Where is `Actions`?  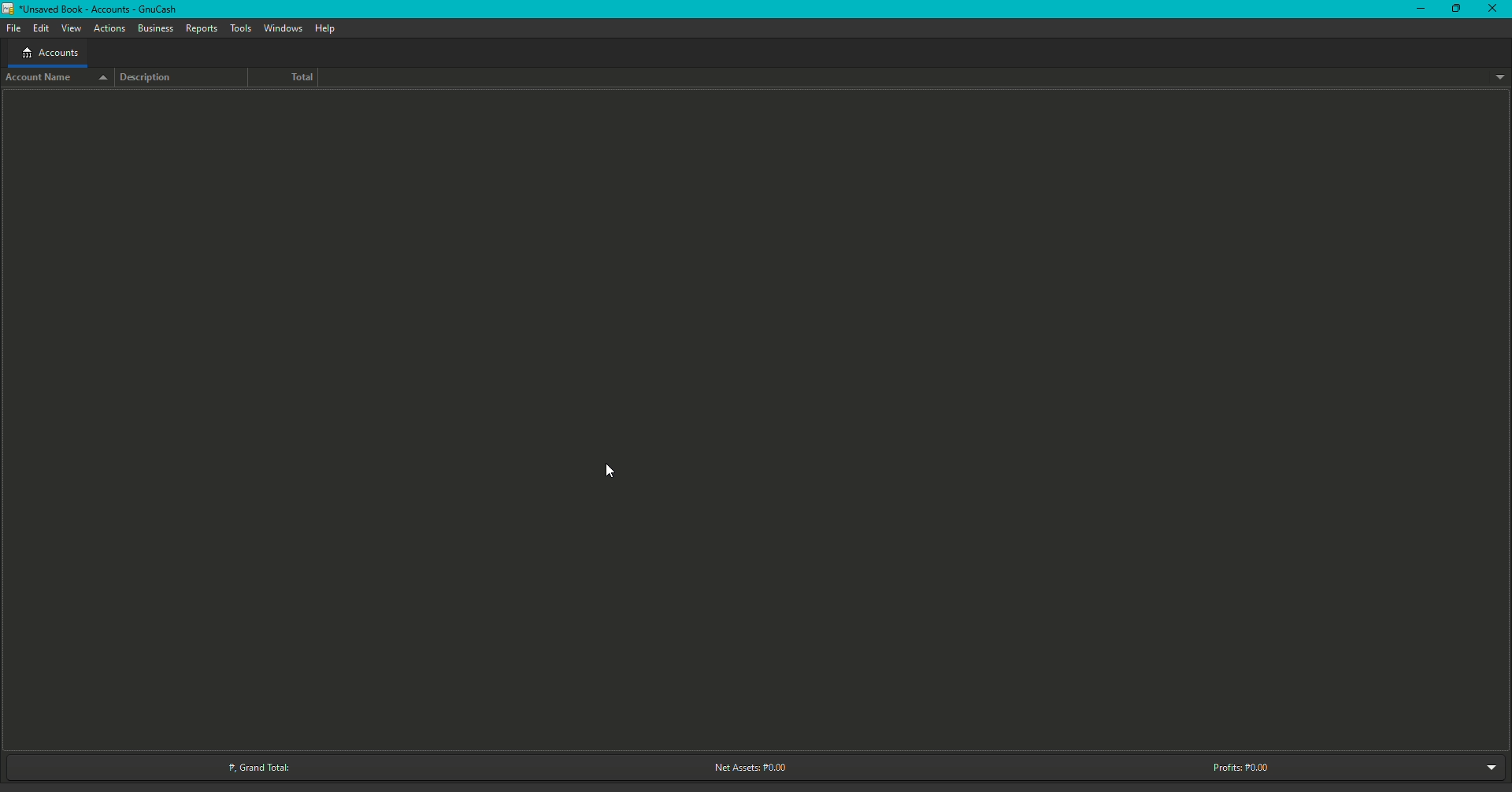 Actions is located at coordinates (109, 28).